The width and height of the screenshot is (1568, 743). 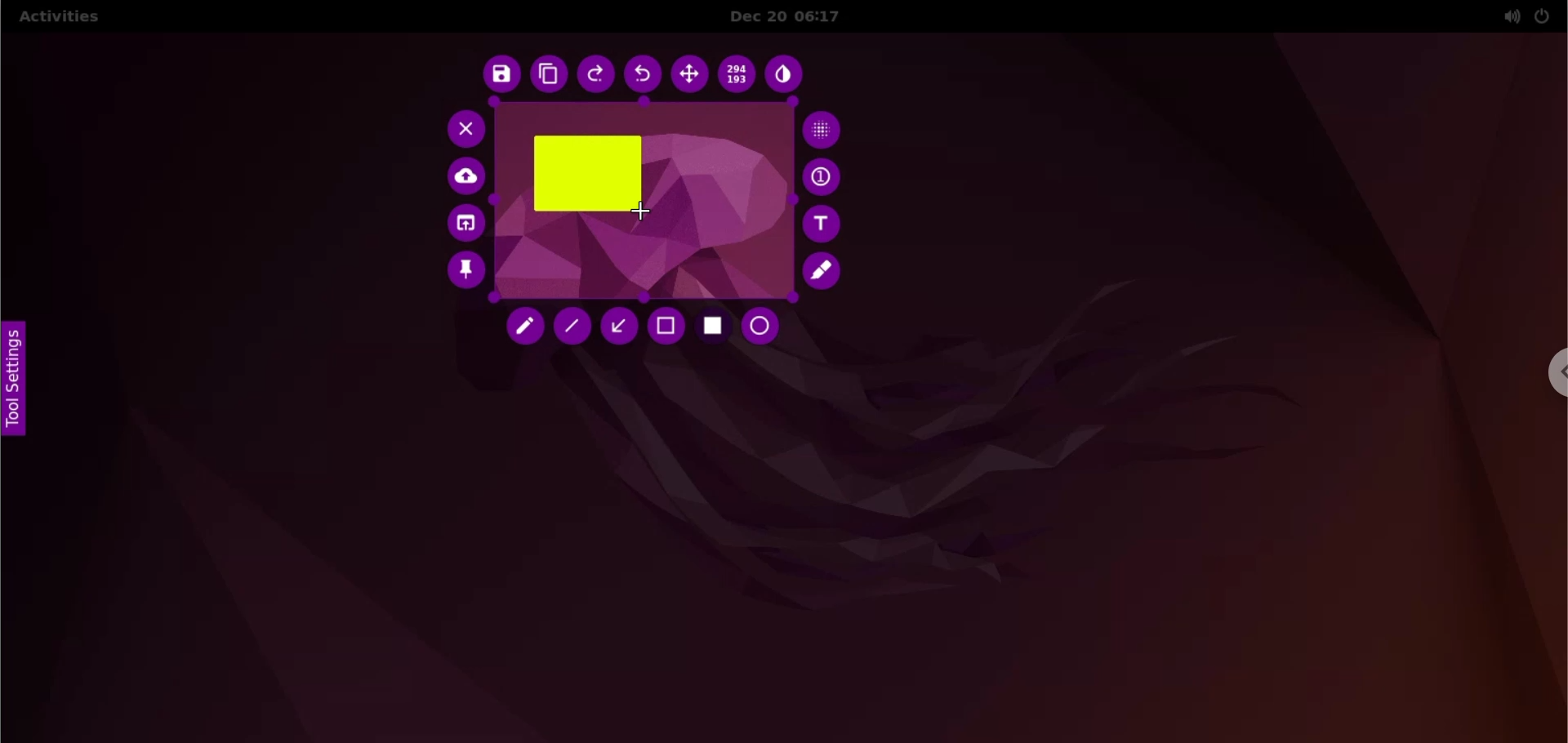 What do you see at coordinates (822, 128) in the screenshot?
I see `pixellete` at bounding box center [822, 128].